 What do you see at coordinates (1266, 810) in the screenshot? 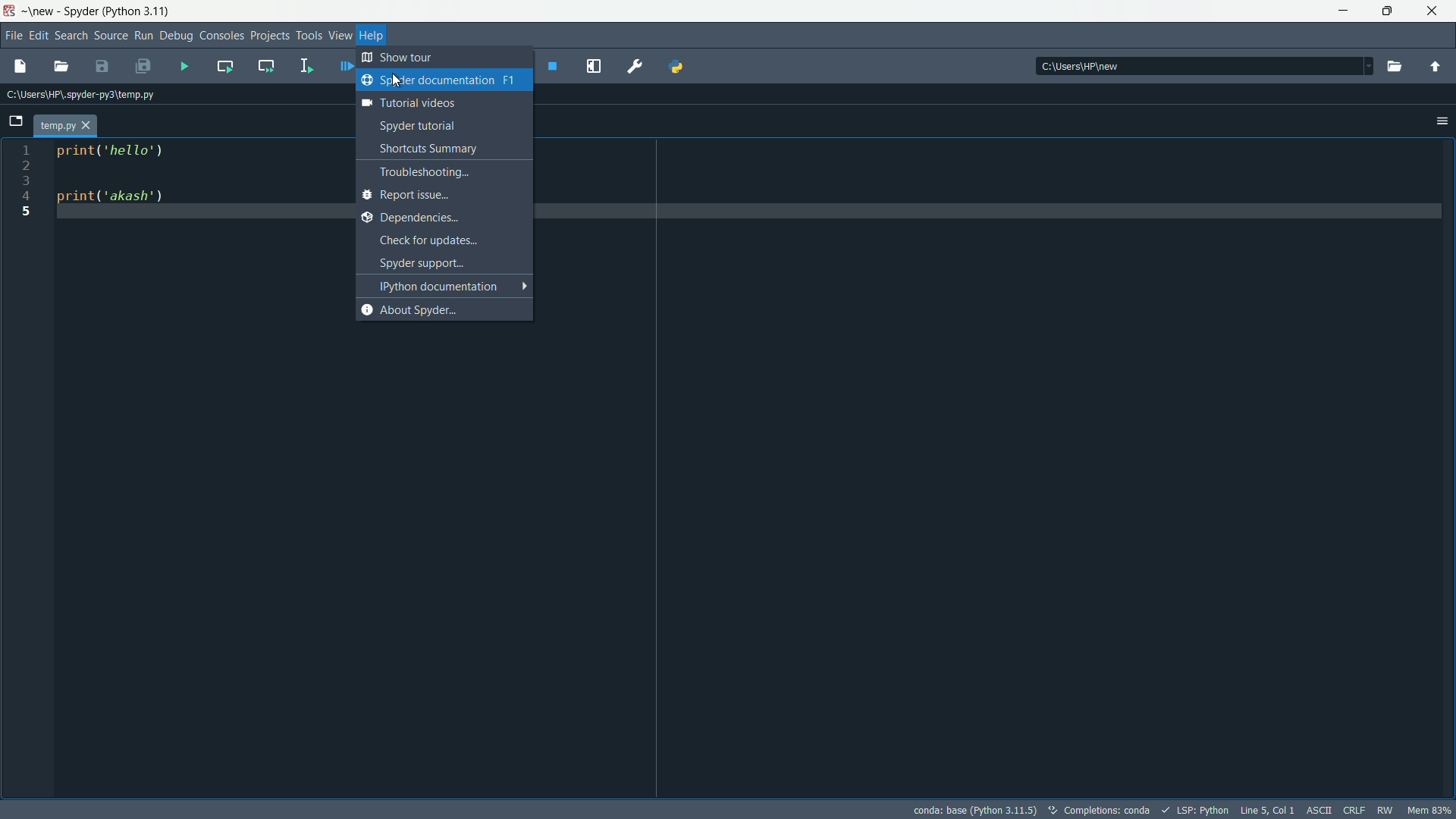
I see `Line 5, Col 1` at bounding box center [1266, 810].